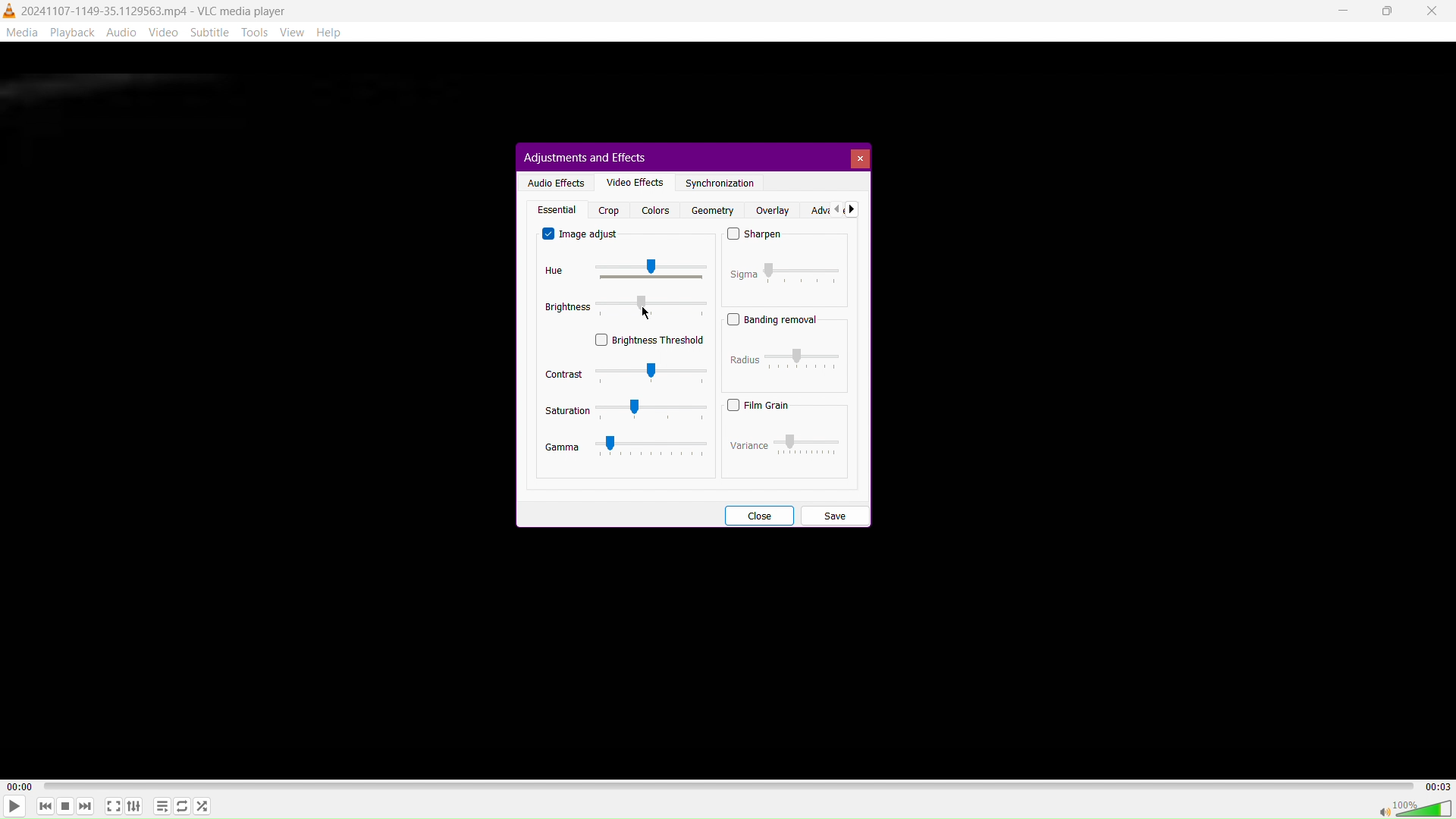 The height and width of the screenshot is (819, 1456). Describe the element at coordinates (1437, 785) in the screenshot. I see `00:03` at that location.